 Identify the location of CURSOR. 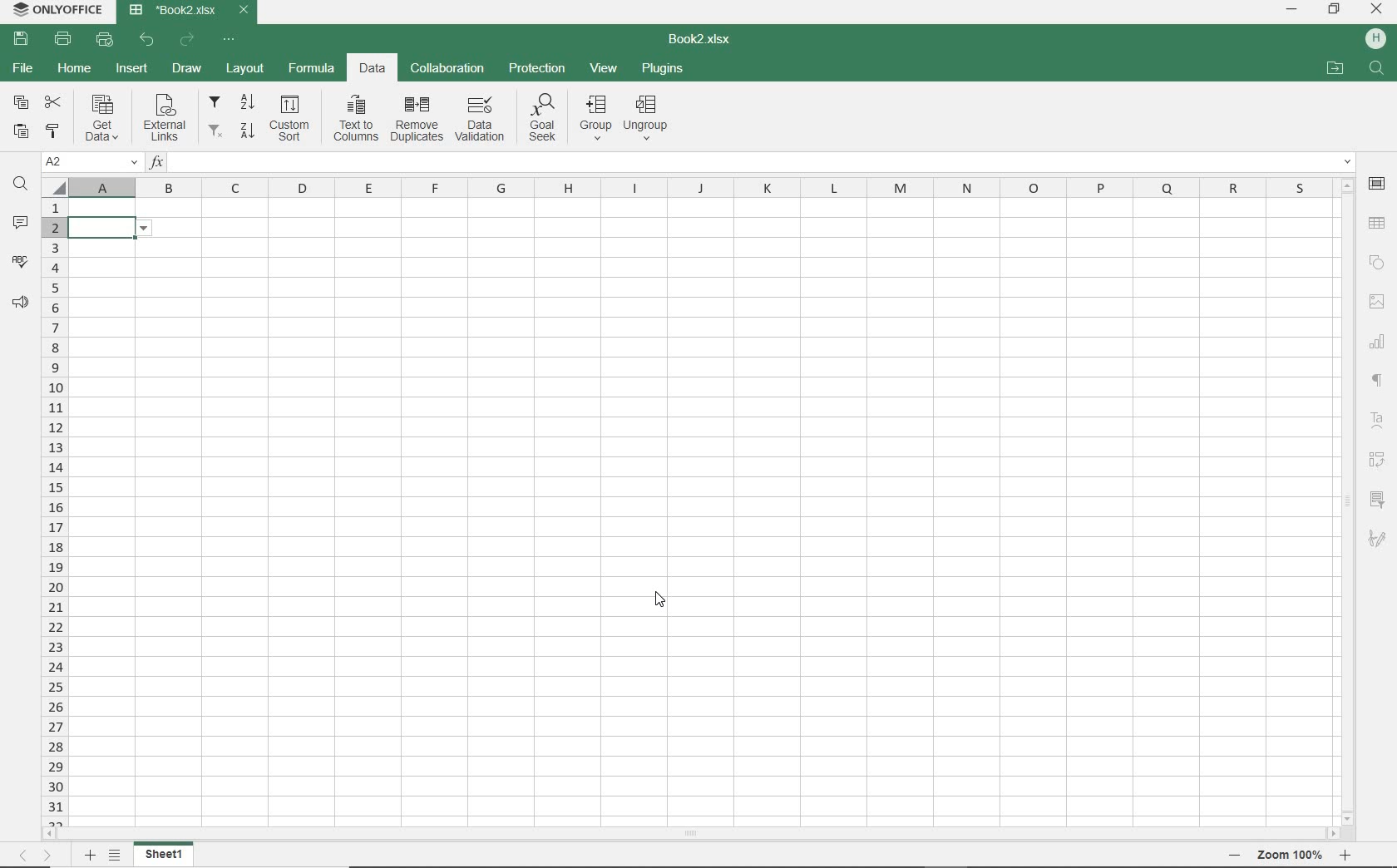
(660, 599).